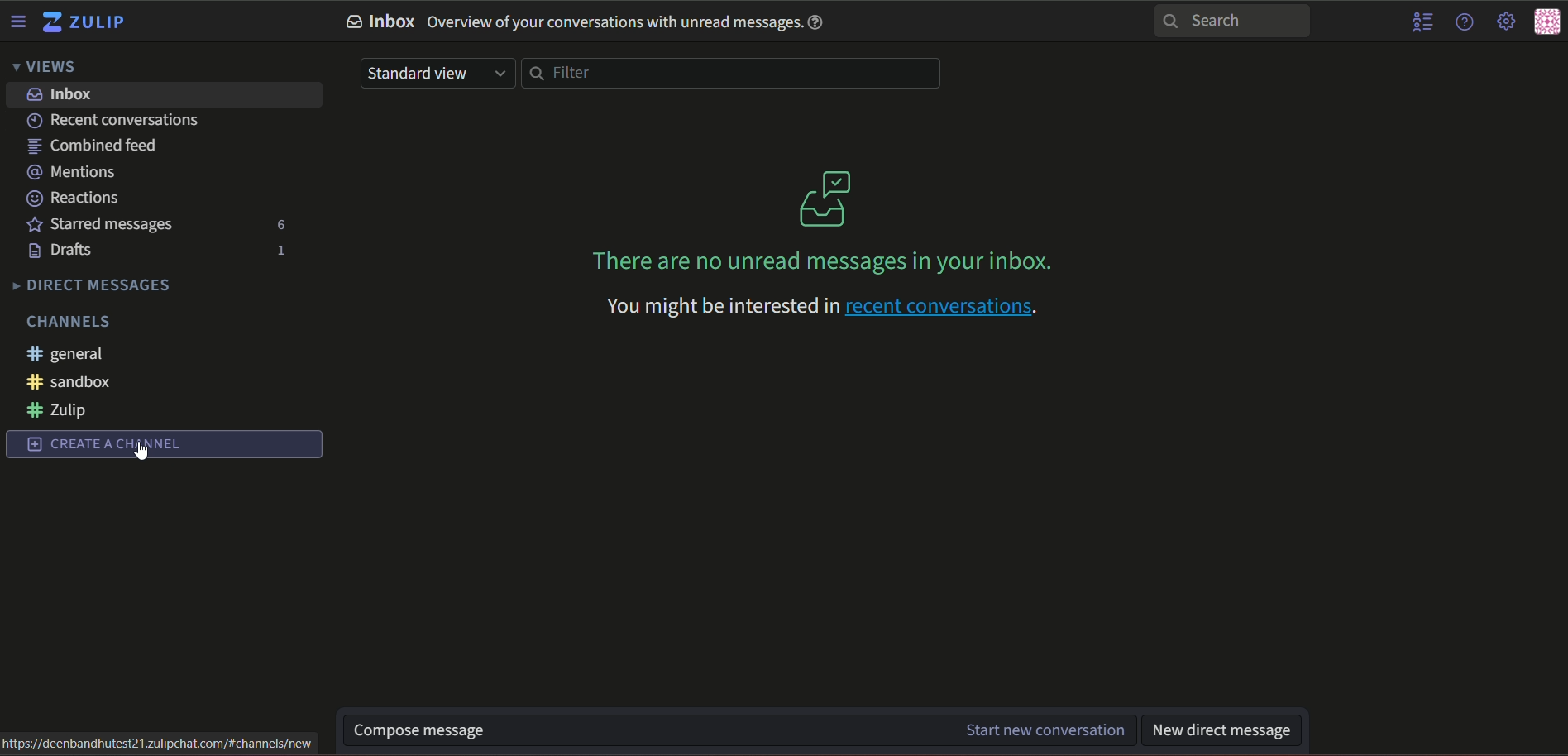 The width and height of the screenshot is (1568, 756). I want to click on new direct message, so click(1230, 731).